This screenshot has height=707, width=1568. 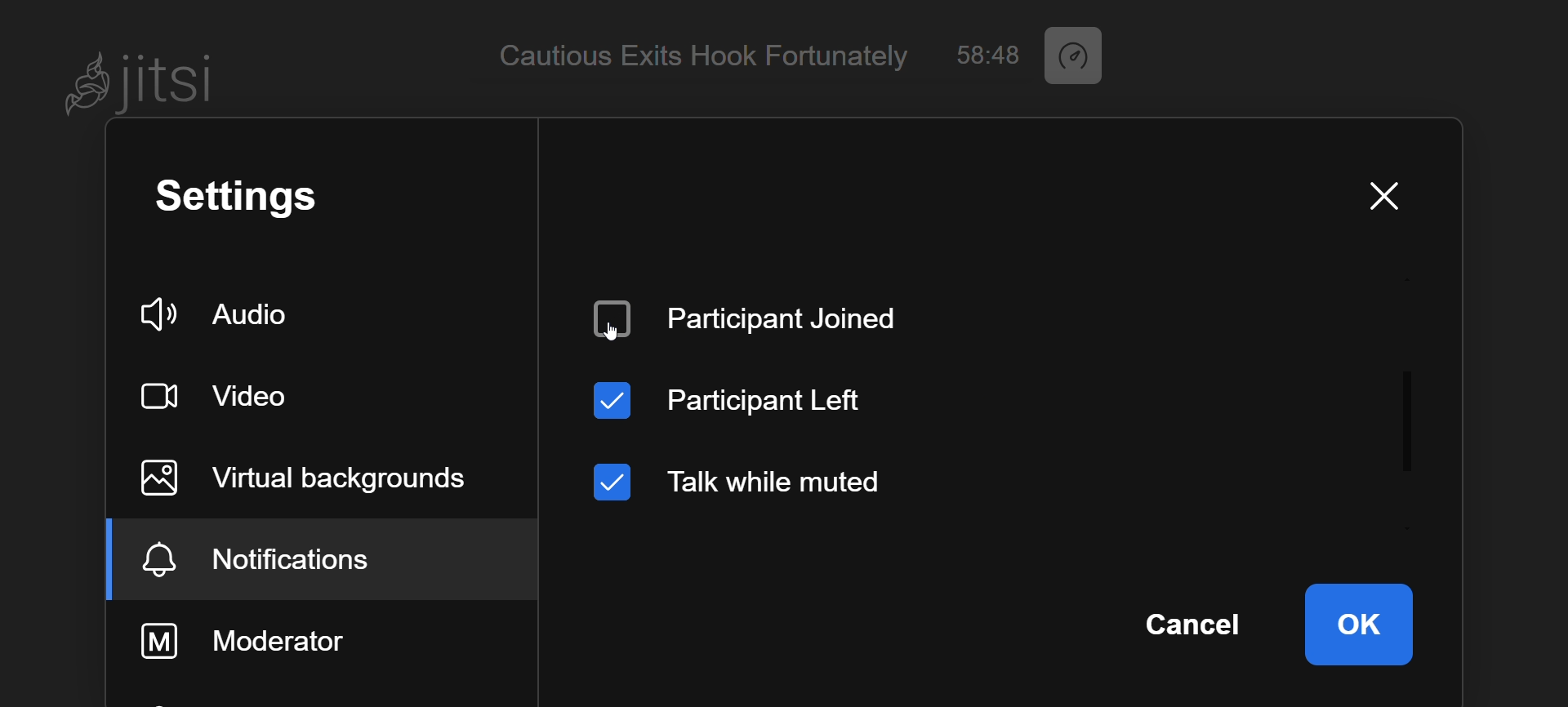 I want to click on close window, so click(x=1380, y=198).